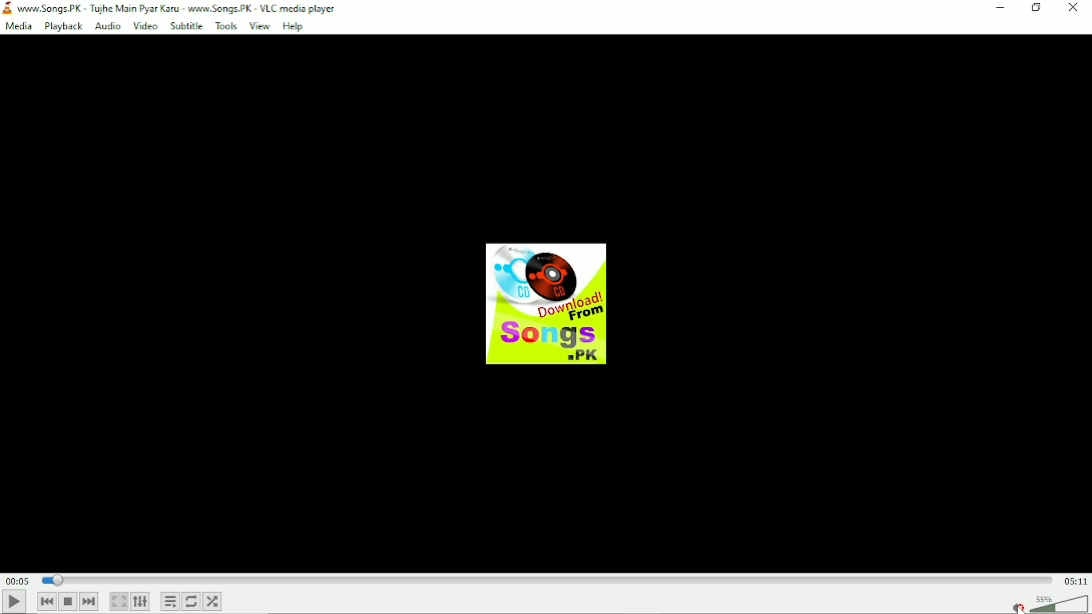 The height and width of the screenshot is (614, 1092). What do you see at coordinates (178, 9) in the screenshot?
I see `wor Songs PK + Tujhe Main Pyar Karu - ww Songs. PK - VLC media player` at bounding box center [178, 9].